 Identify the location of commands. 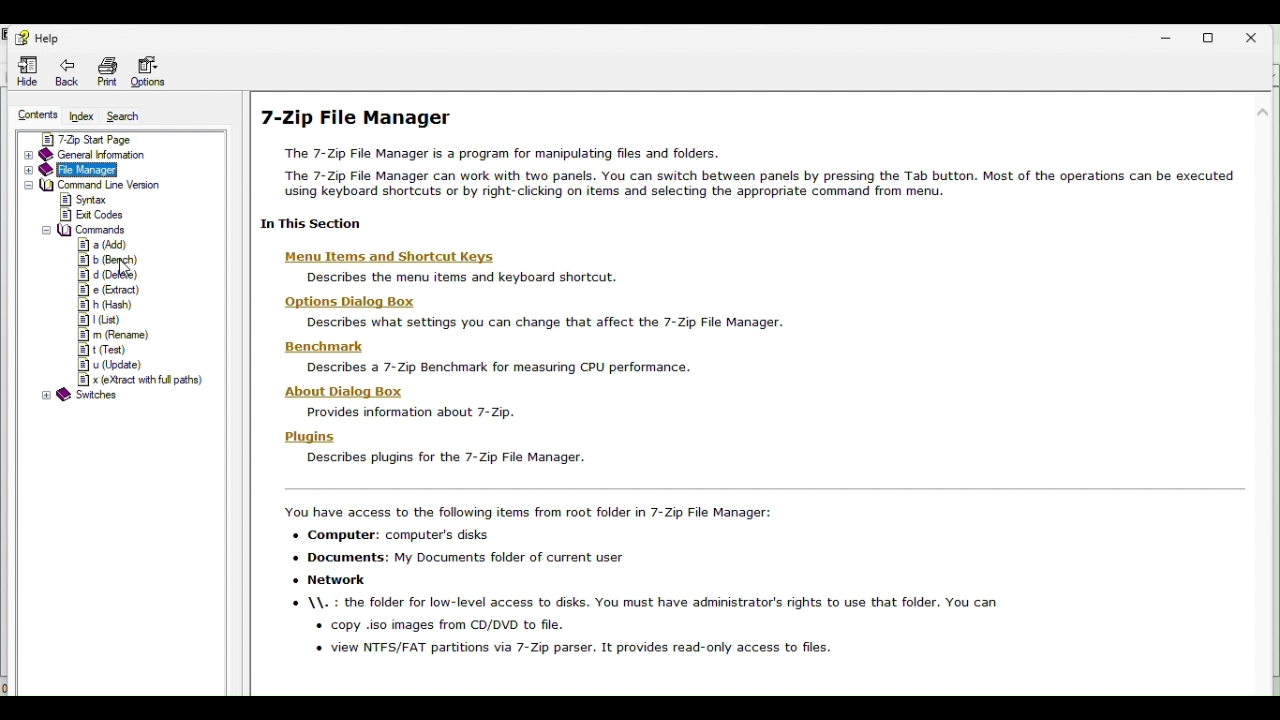
(84, 232).